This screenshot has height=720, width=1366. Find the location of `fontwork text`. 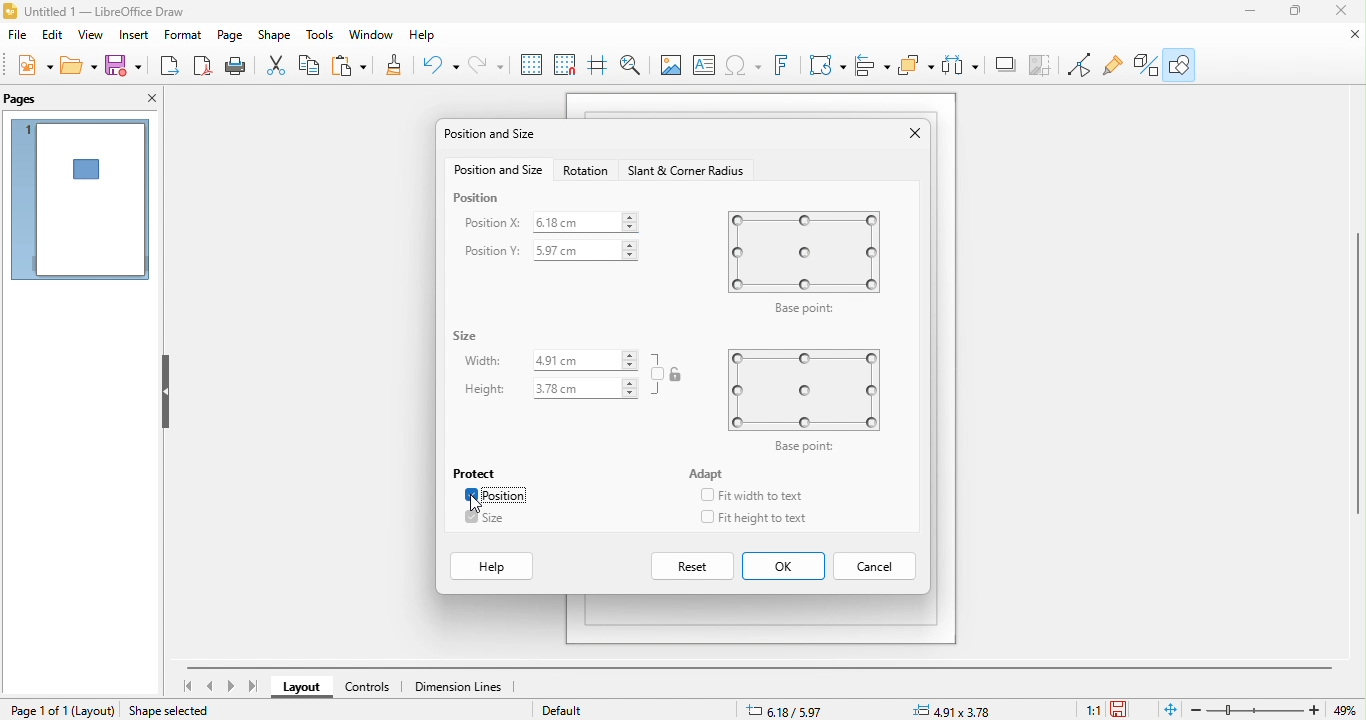

fontwork text is located at coordinates (785, 65).